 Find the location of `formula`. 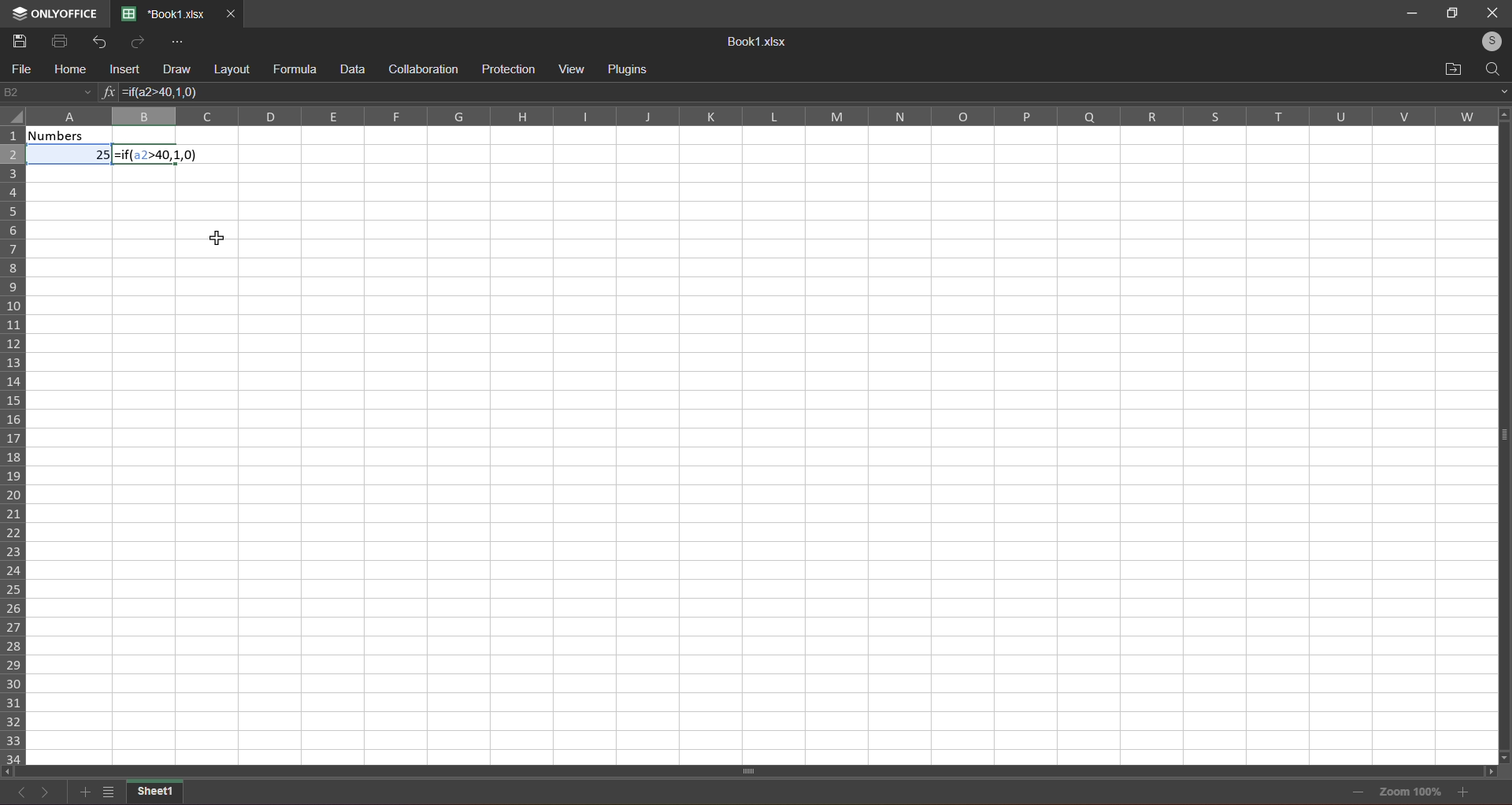

formula is located at coordinates (293, 69).